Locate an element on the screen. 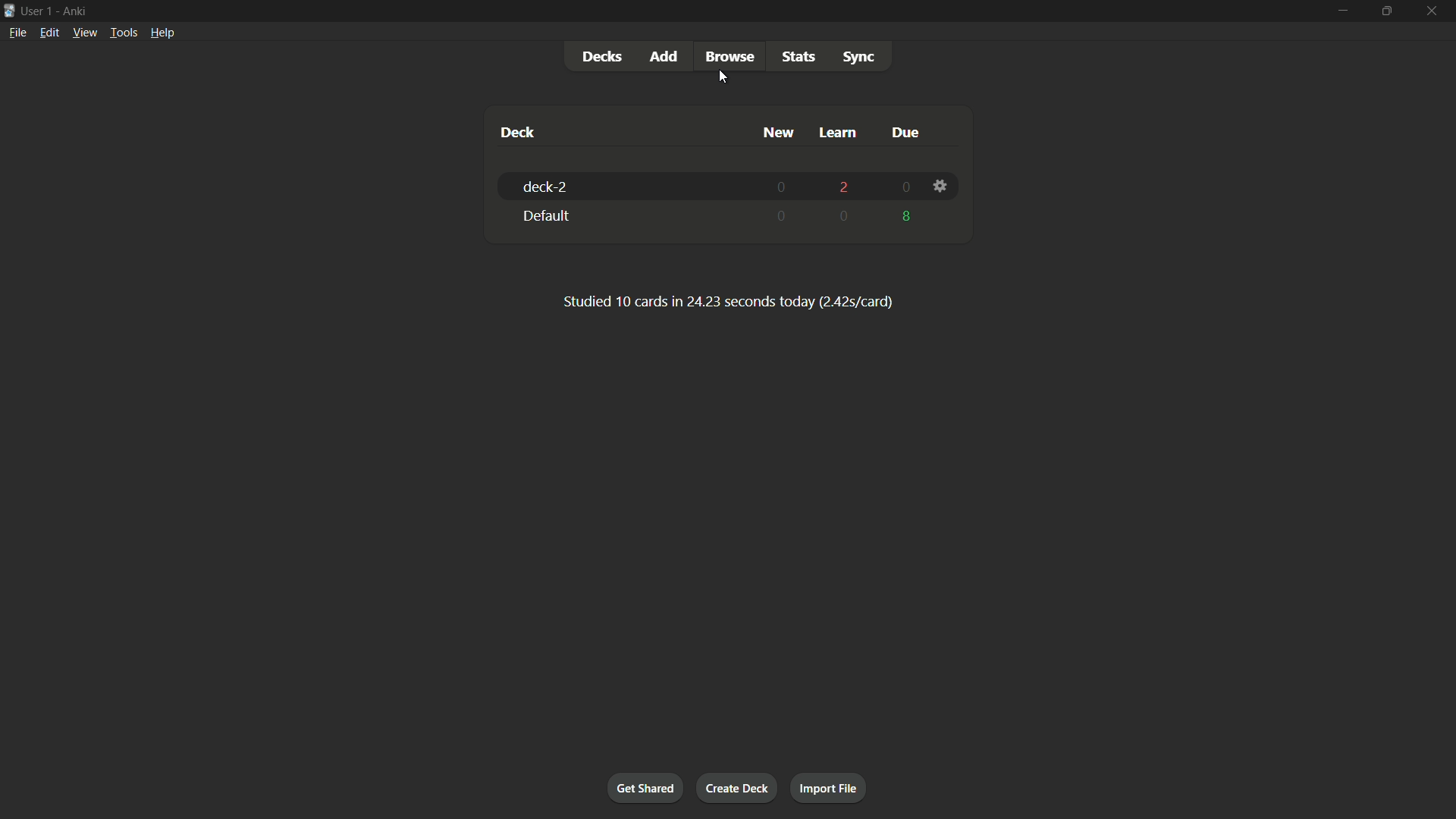 This screenshot has height=819, width=1456. Sync is located at coordinates (858, 57).